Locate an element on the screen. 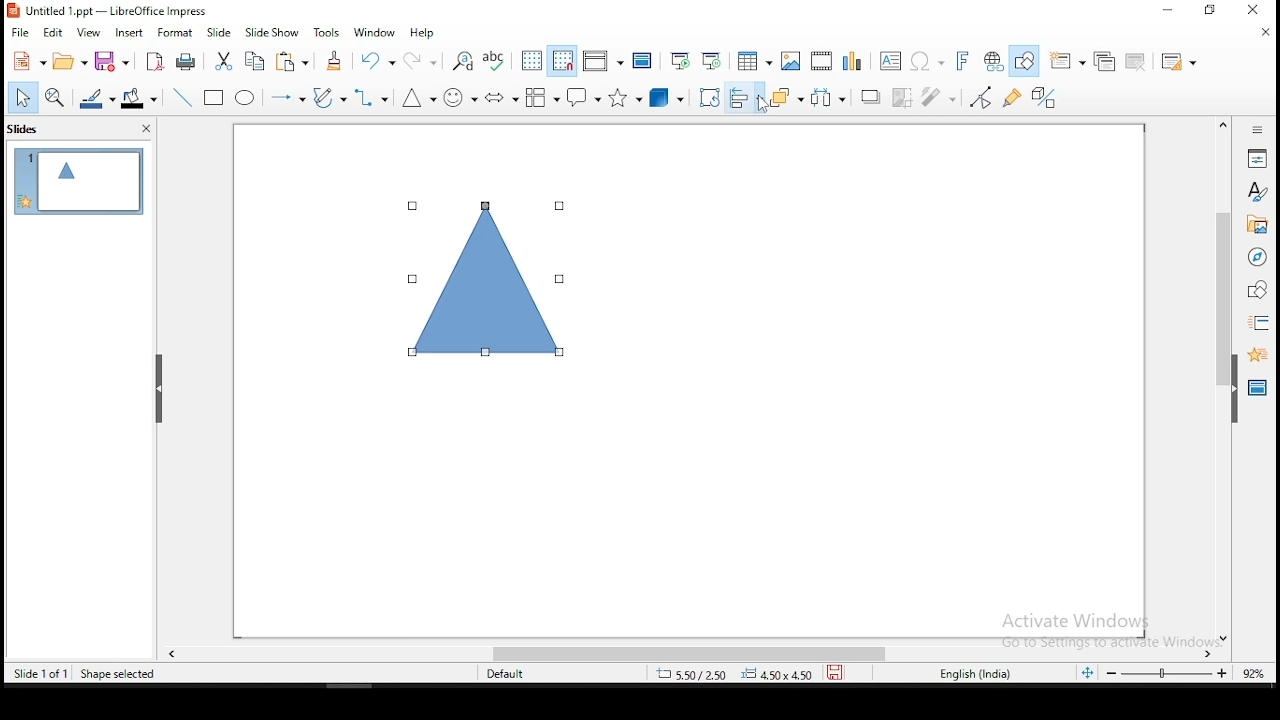  new slide is located at coordinates (1069, 60).